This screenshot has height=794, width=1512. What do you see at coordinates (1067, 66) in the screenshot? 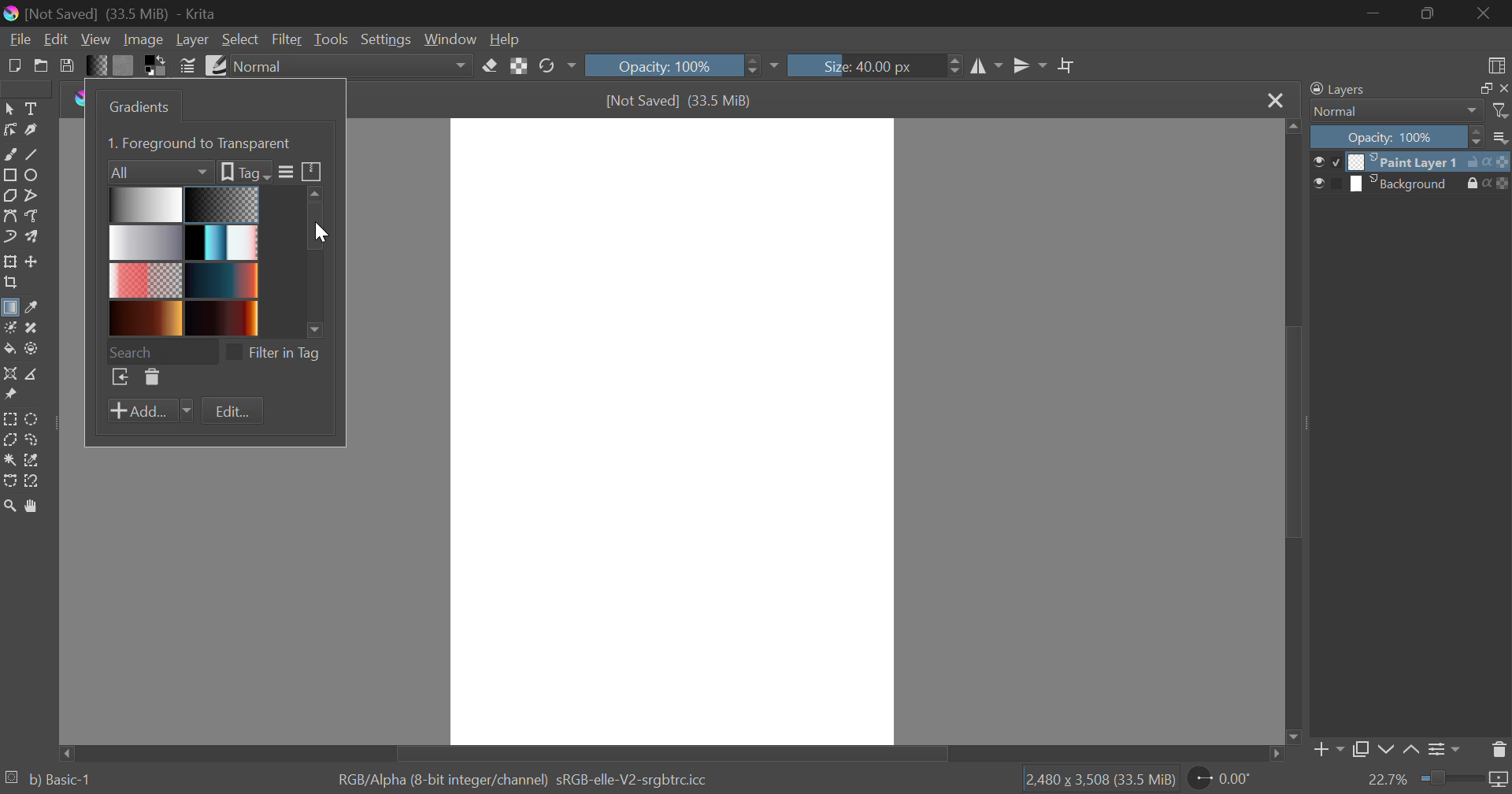
I see `Crop` at bounding box center [1067, 66].